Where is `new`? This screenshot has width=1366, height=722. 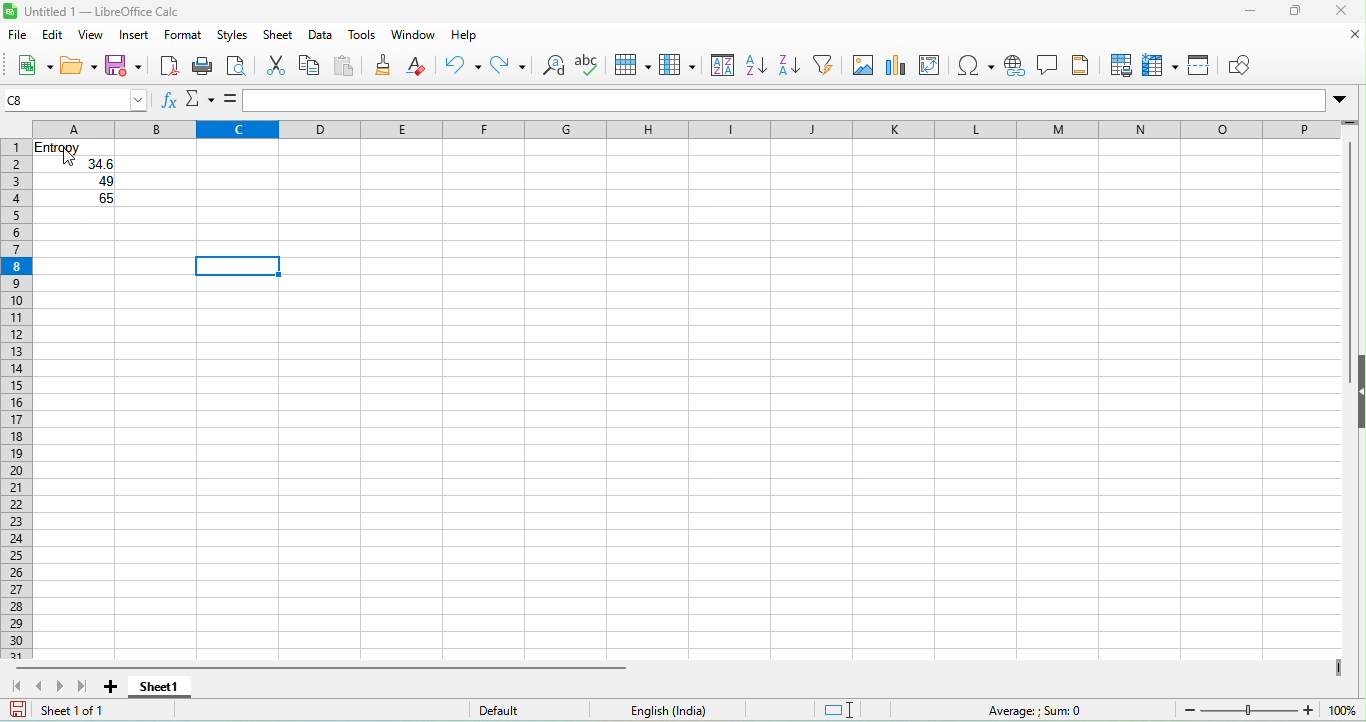 new is located at coordinates (28, 65).